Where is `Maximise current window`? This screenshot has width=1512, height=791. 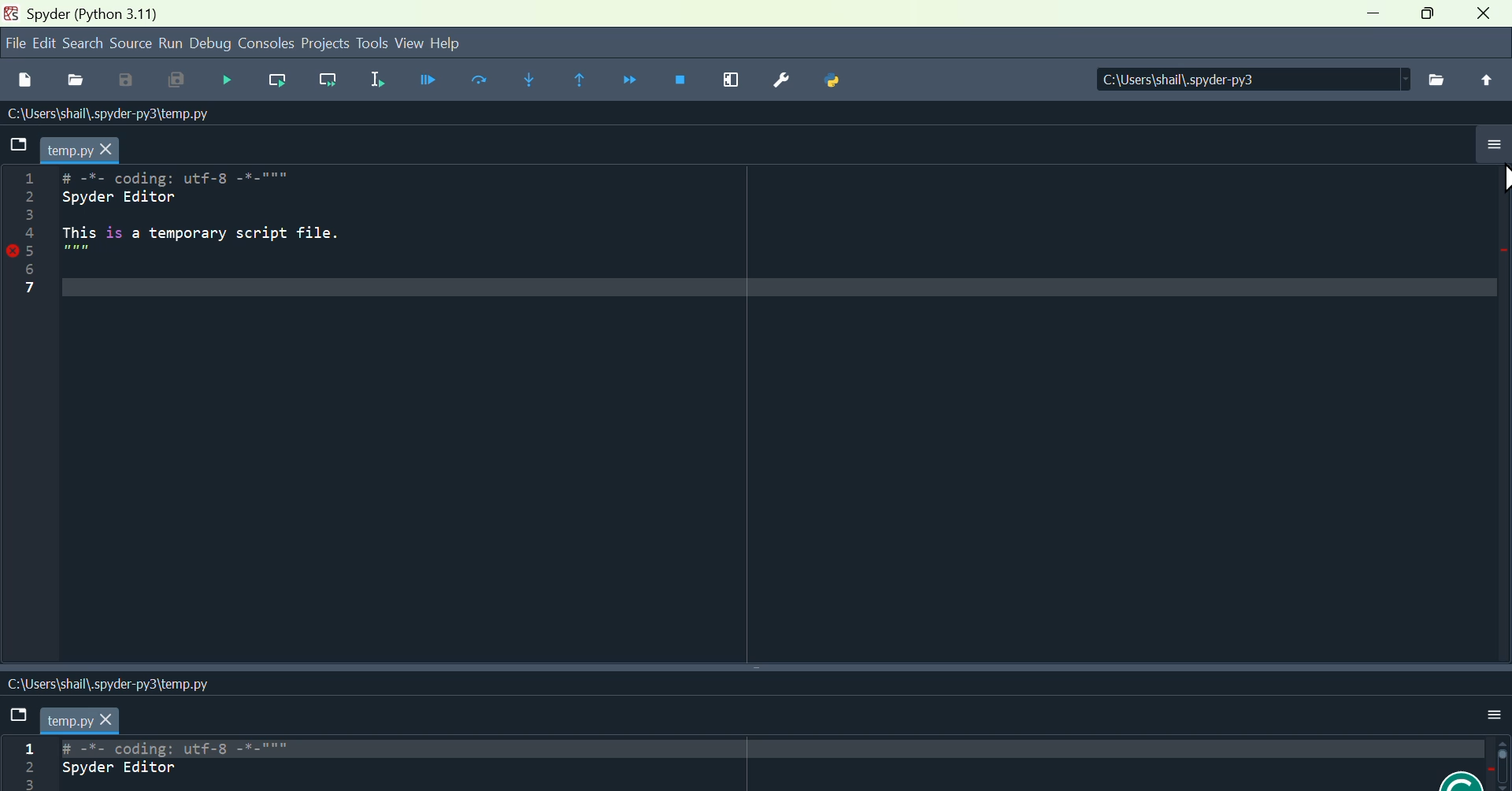
Maximise current window is located at coordinates (733, 84).